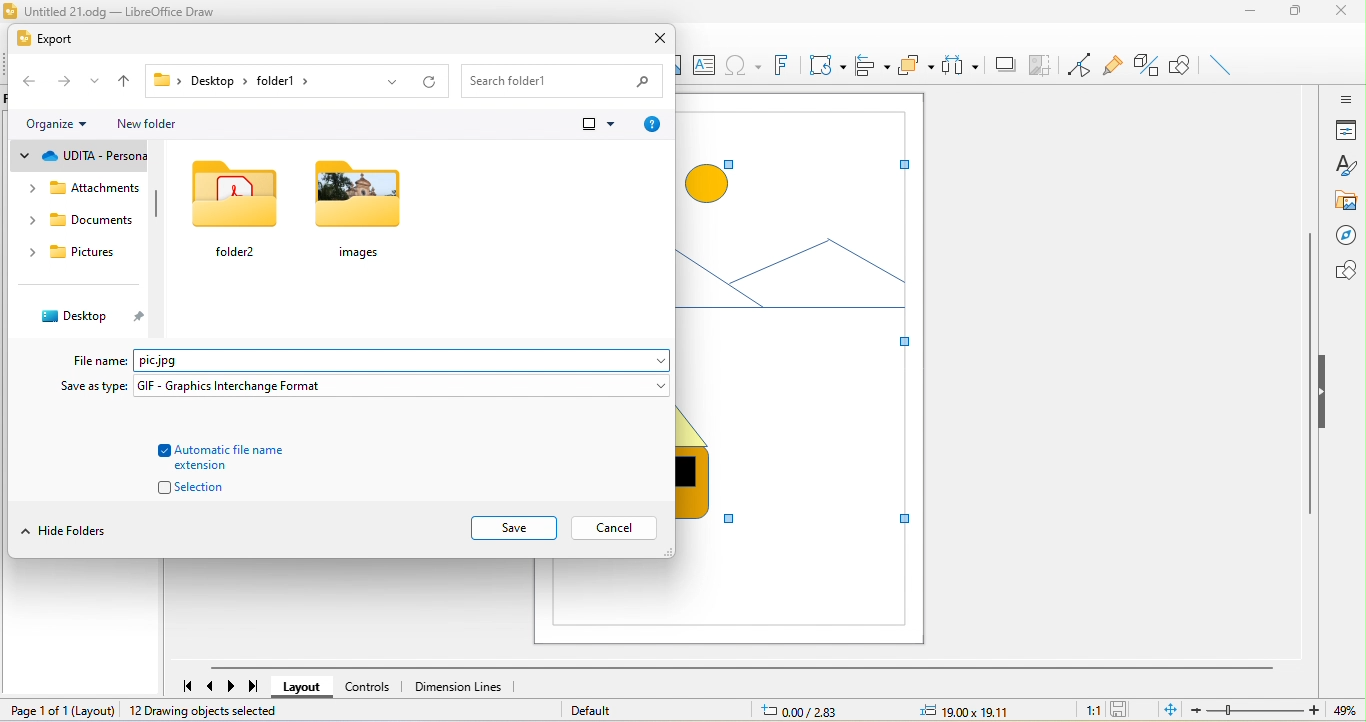 The width and height of the screenshot is (1366, 722). Describe the element at coordinates (615, 529) in the screenshot. I see `cancel` at that location.